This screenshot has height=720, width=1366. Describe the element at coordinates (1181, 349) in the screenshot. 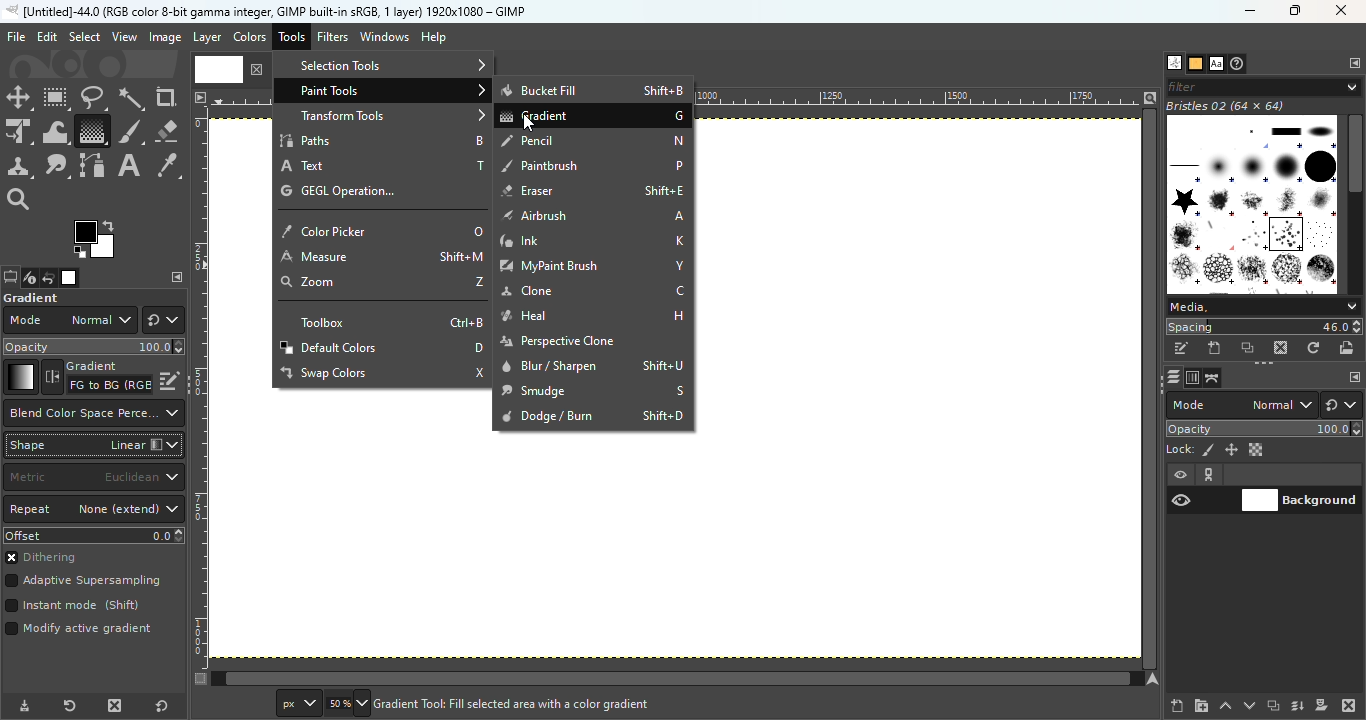

I see `Edit this brush` at that location.